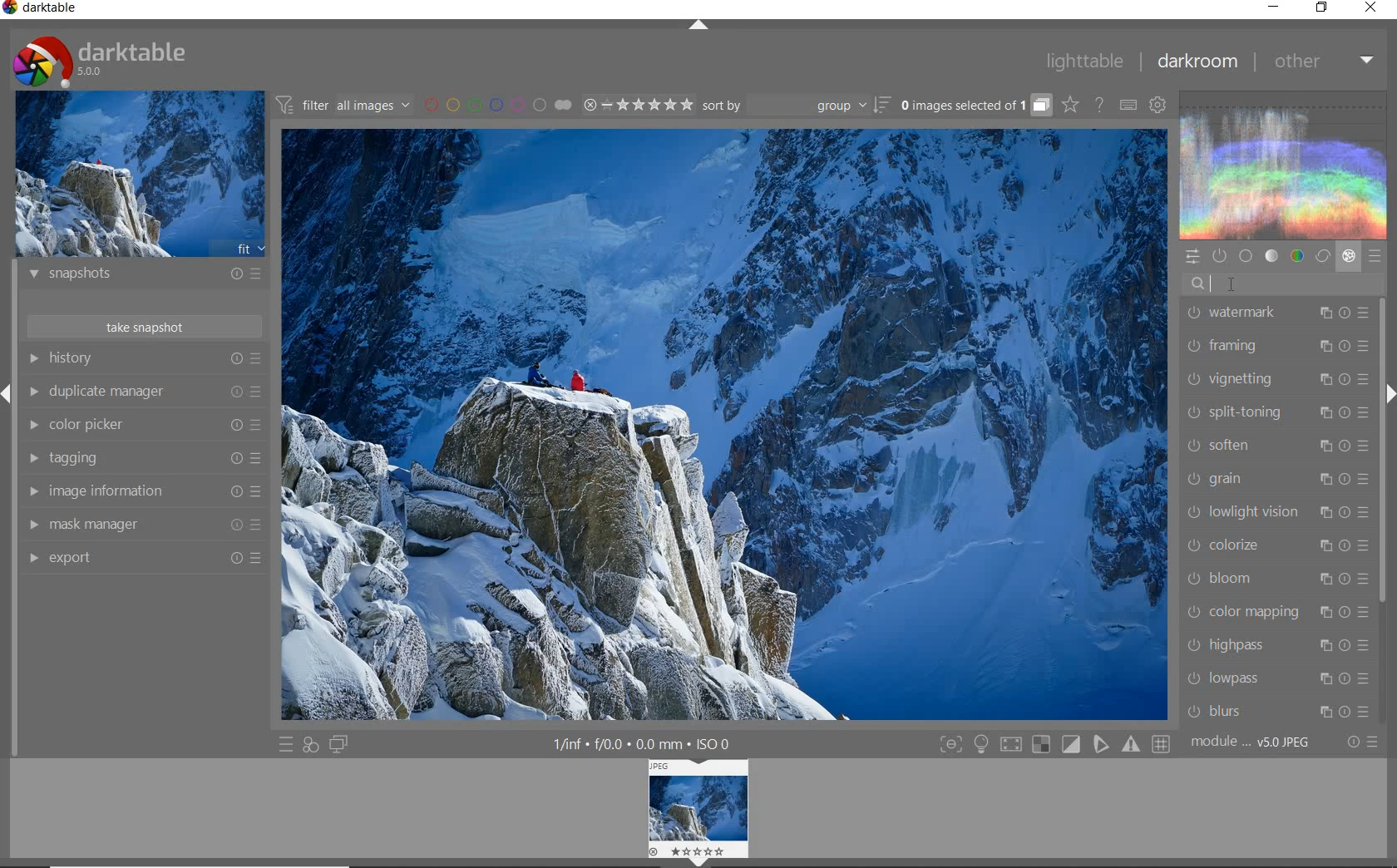 This screenshot has height=868, width=1397. What do you see at coordinates (146, 276) in the screenshot?
I see `snapshots` at bounding box center [146, 276].